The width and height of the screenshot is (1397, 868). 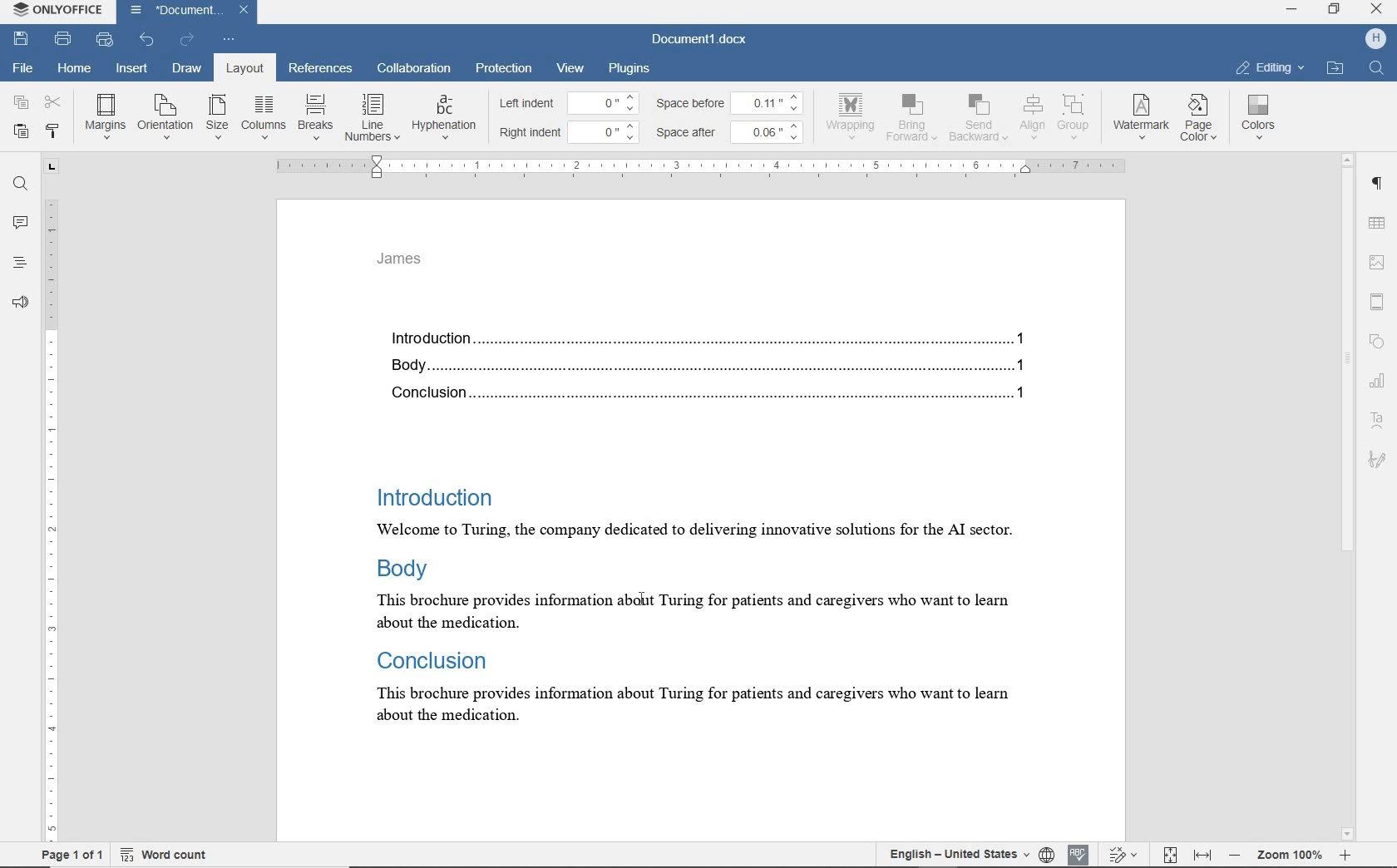 What do you see at coordinates (444, 118) in the screenshot?
I see `hyphenation` at bounding box center [444, 118].